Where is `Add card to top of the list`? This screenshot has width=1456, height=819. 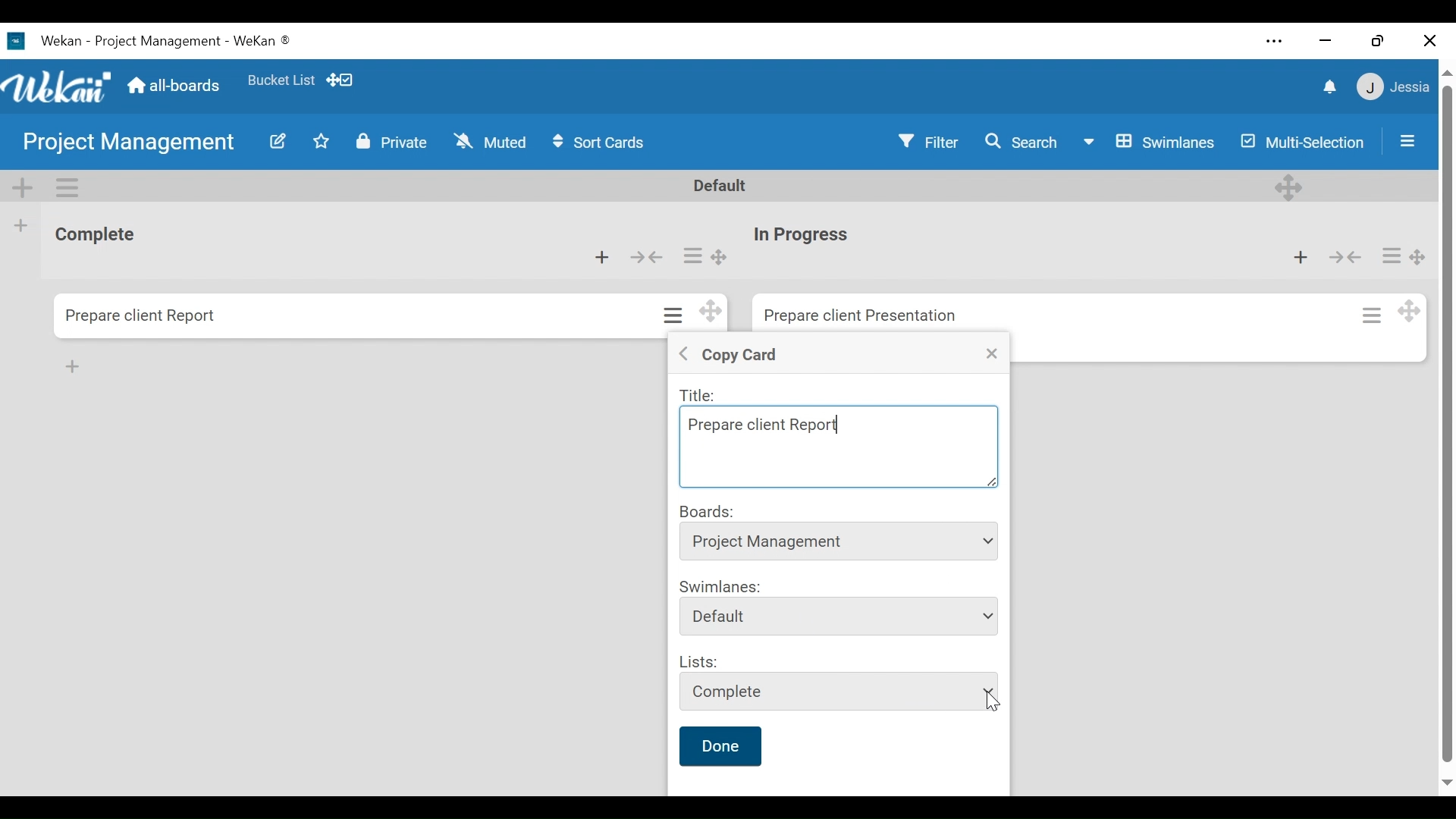 Add card to top of the list is located at coordinates (1305, 257).